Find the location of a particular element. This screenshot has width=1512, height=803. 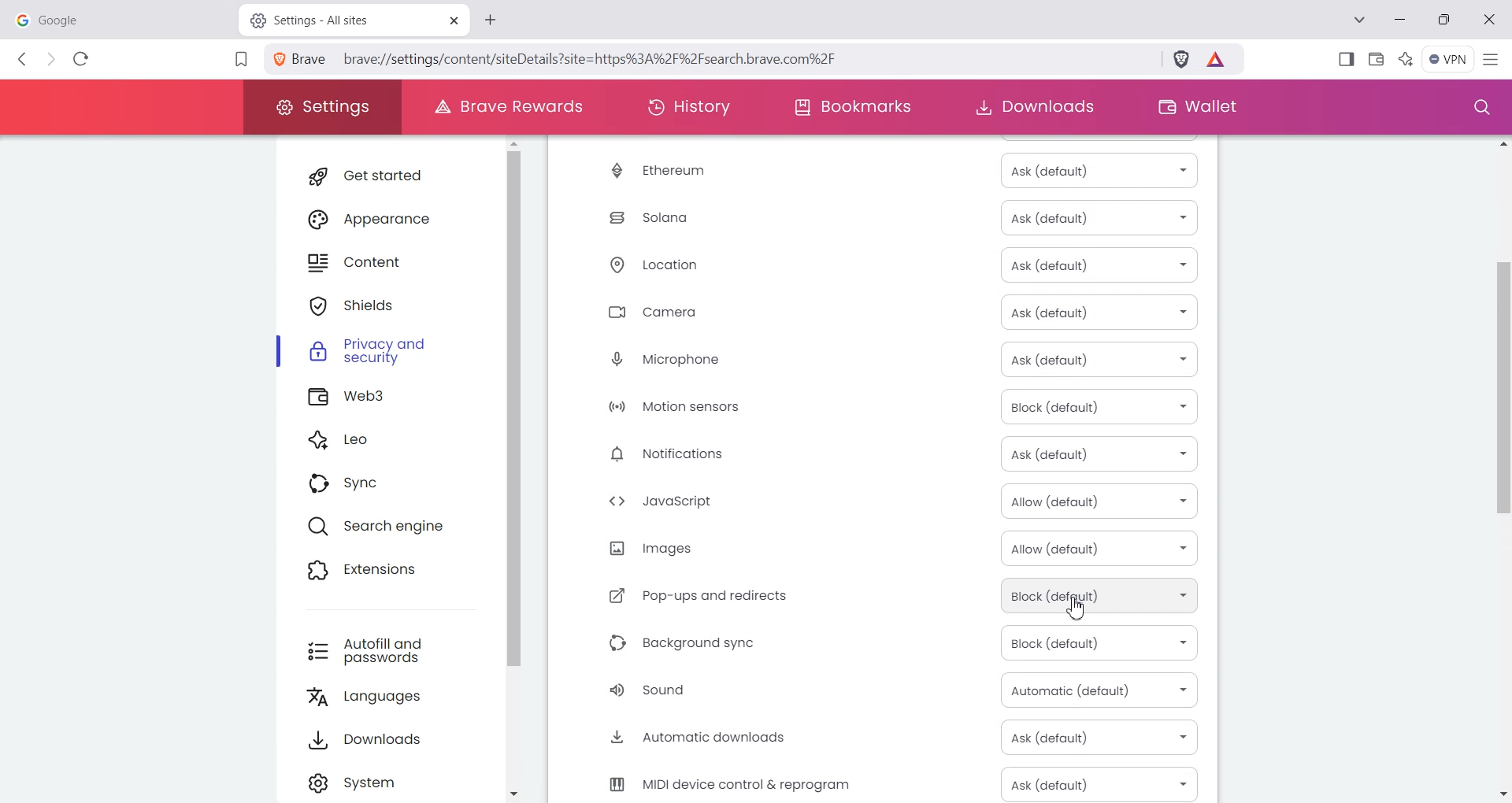

Settings is located at coordinates (396, 783).